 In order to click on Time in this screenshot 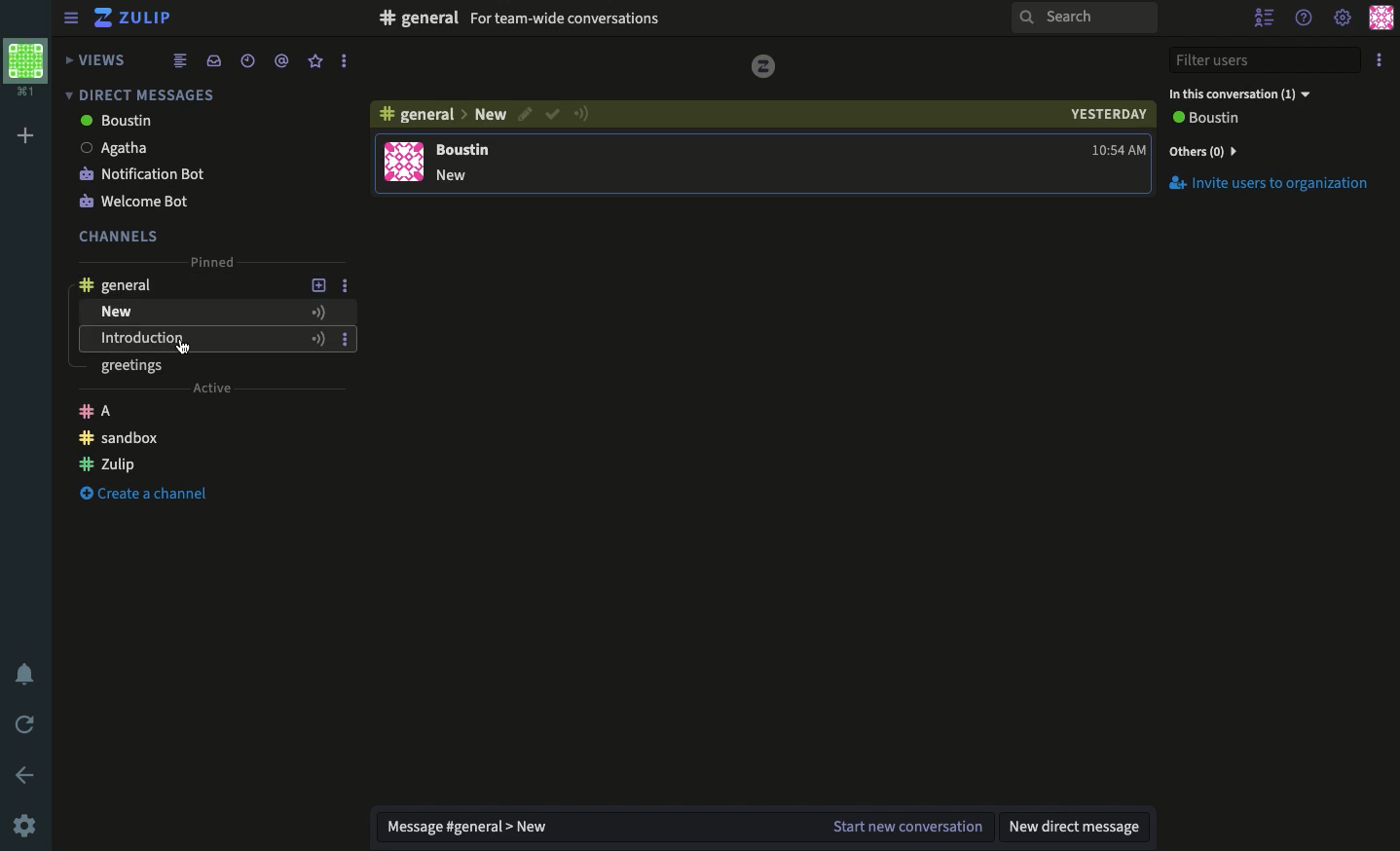, I will do `click(245, 60)`.